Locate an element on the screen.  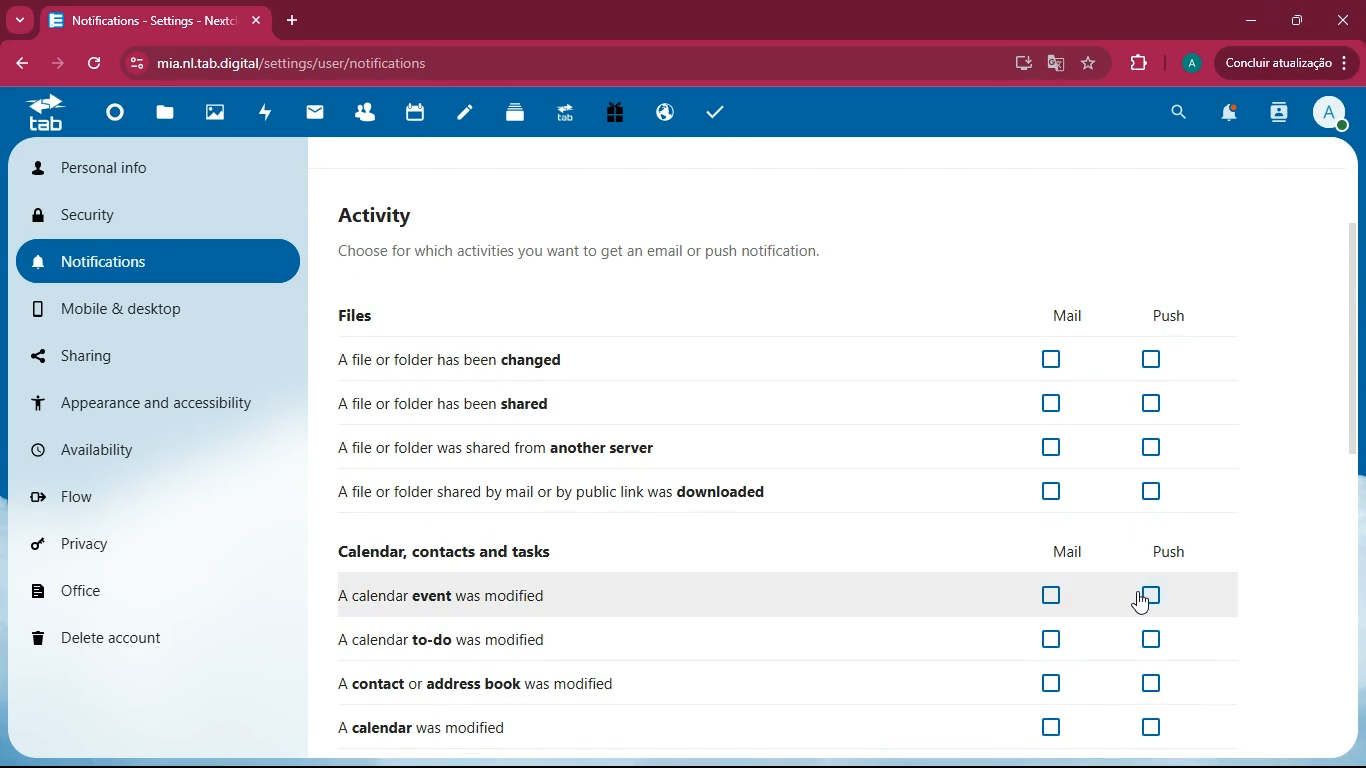
extensions is located at coordinates (1140, 63).